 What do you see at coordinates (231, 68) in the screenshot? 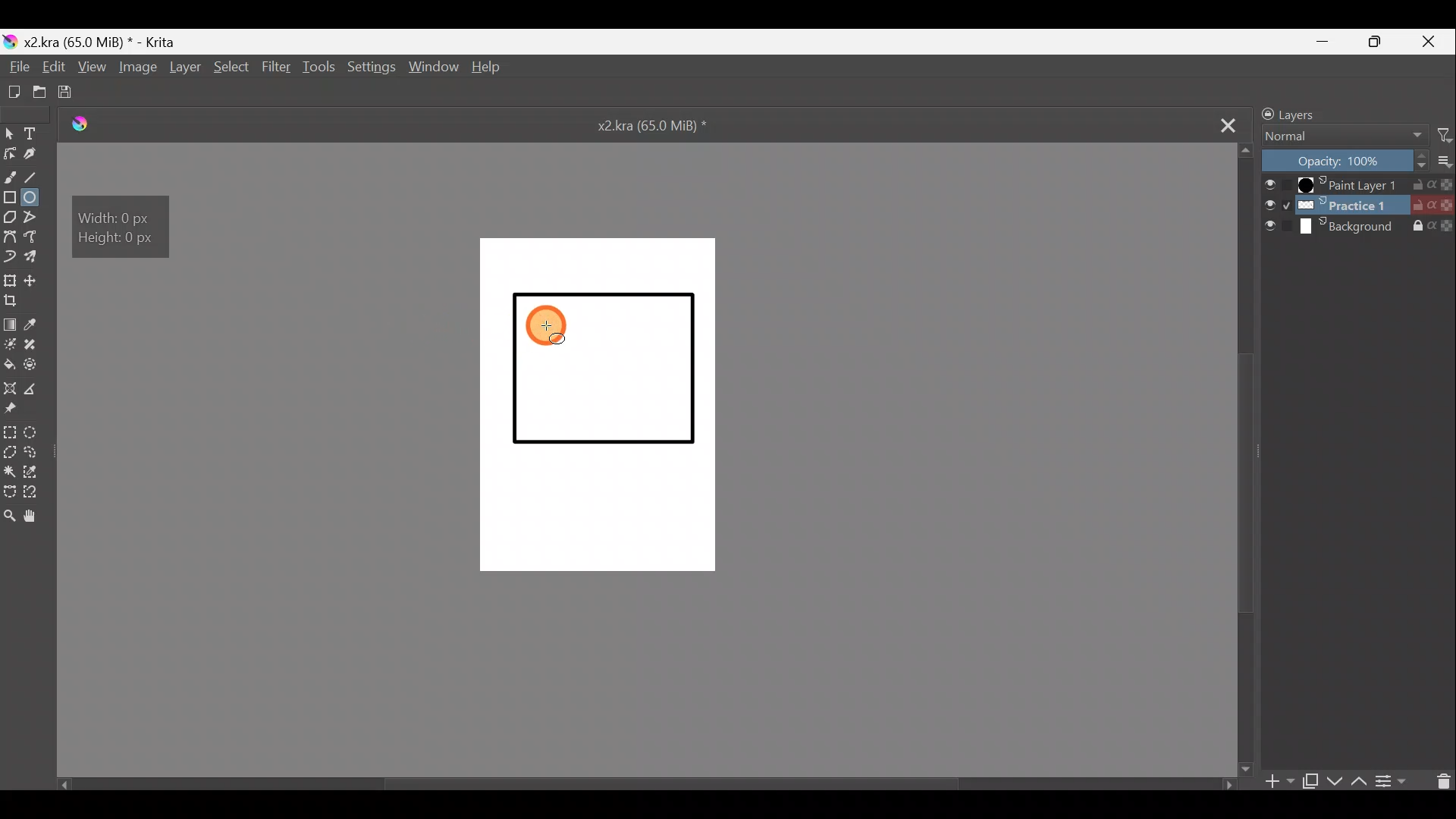
I see `Select` at bounding box center [231, 68].